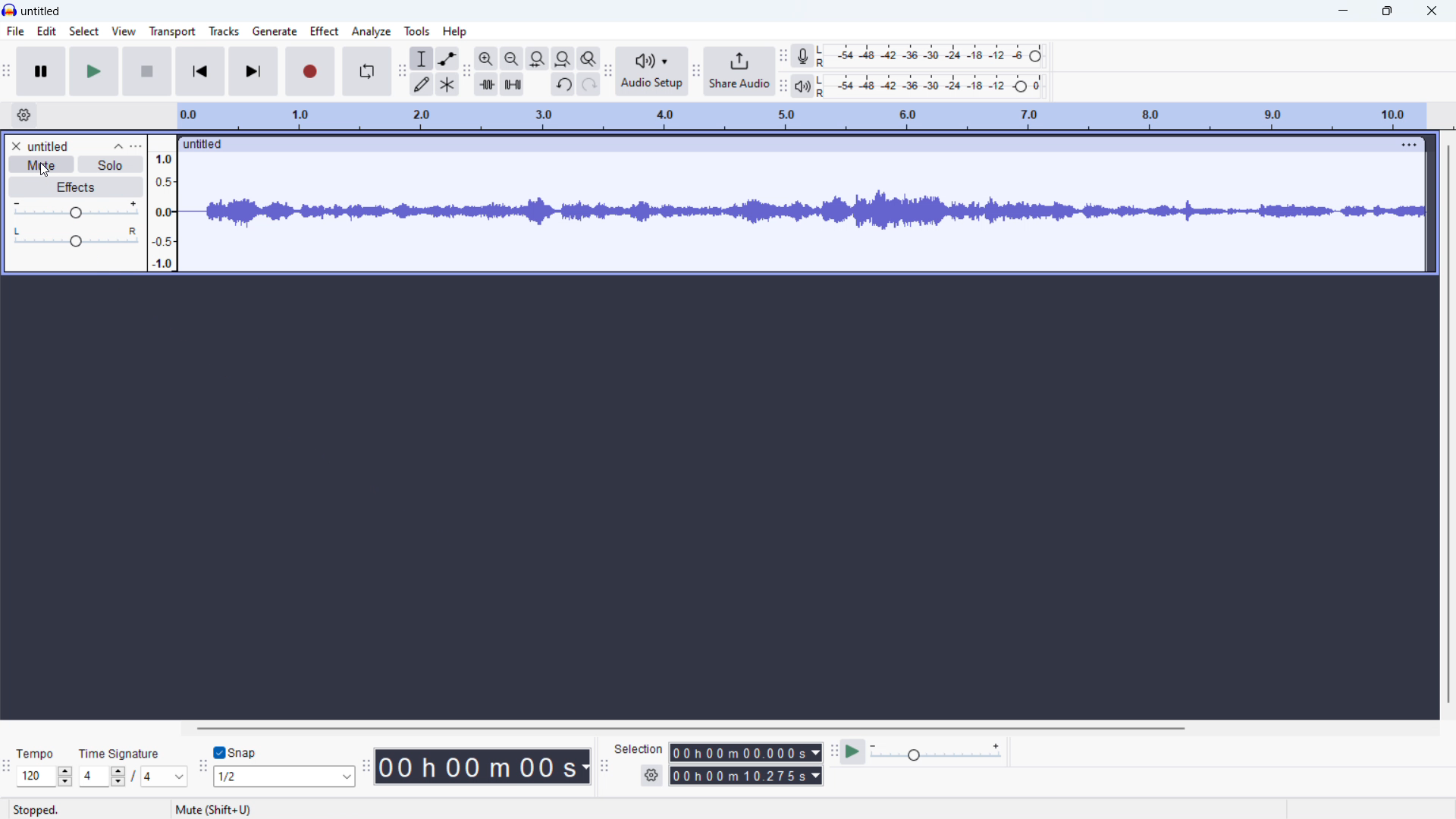 The height and width of the screenshot is (819, 1456). Describe the element at coordinates (366, 768) in the screenshot. I see `time toolbar` at that location.